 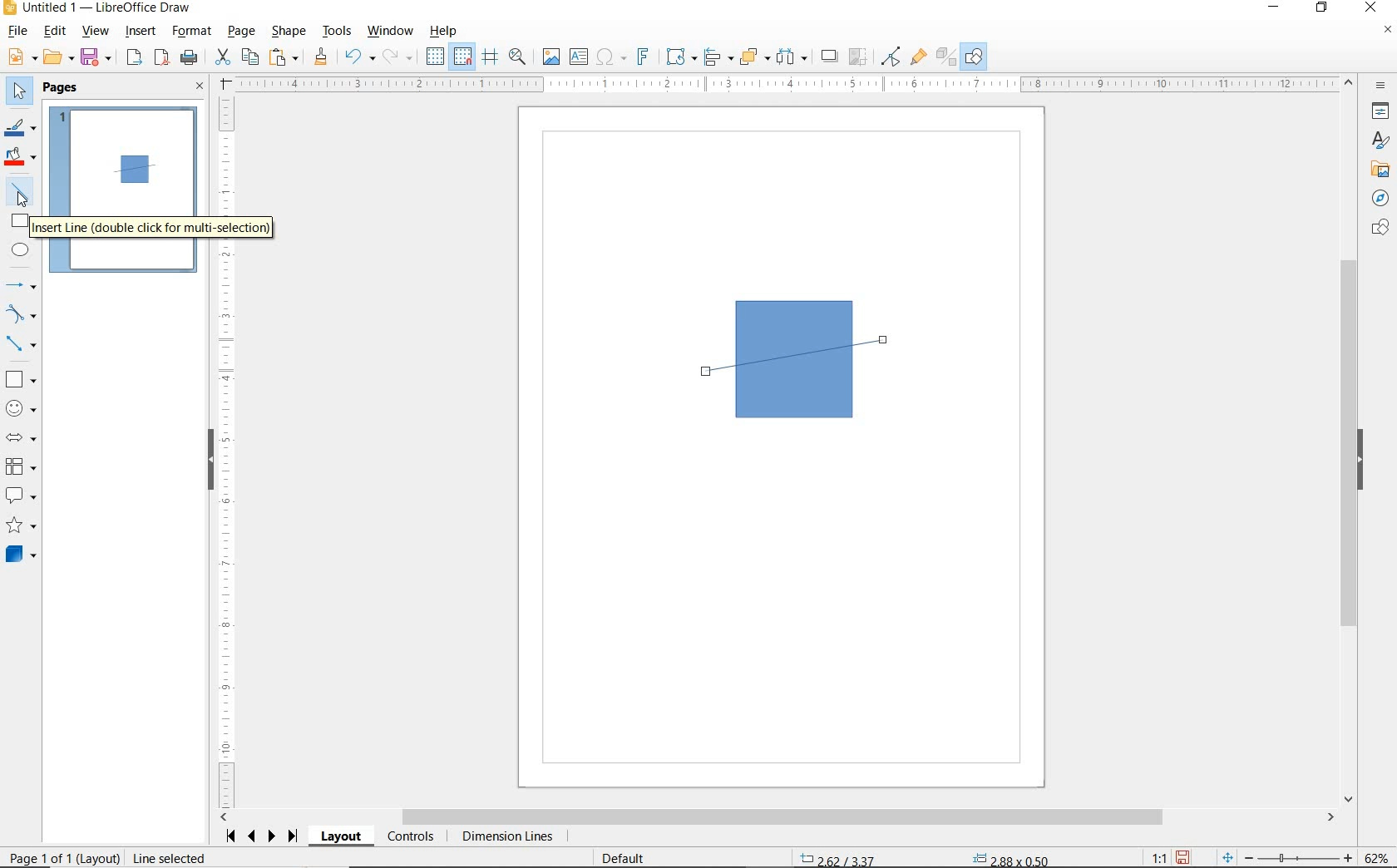 What do you see at coordinates (21, 345) in the screenshot?
I see `CONNECTORS` at bounding box center [21, 345].